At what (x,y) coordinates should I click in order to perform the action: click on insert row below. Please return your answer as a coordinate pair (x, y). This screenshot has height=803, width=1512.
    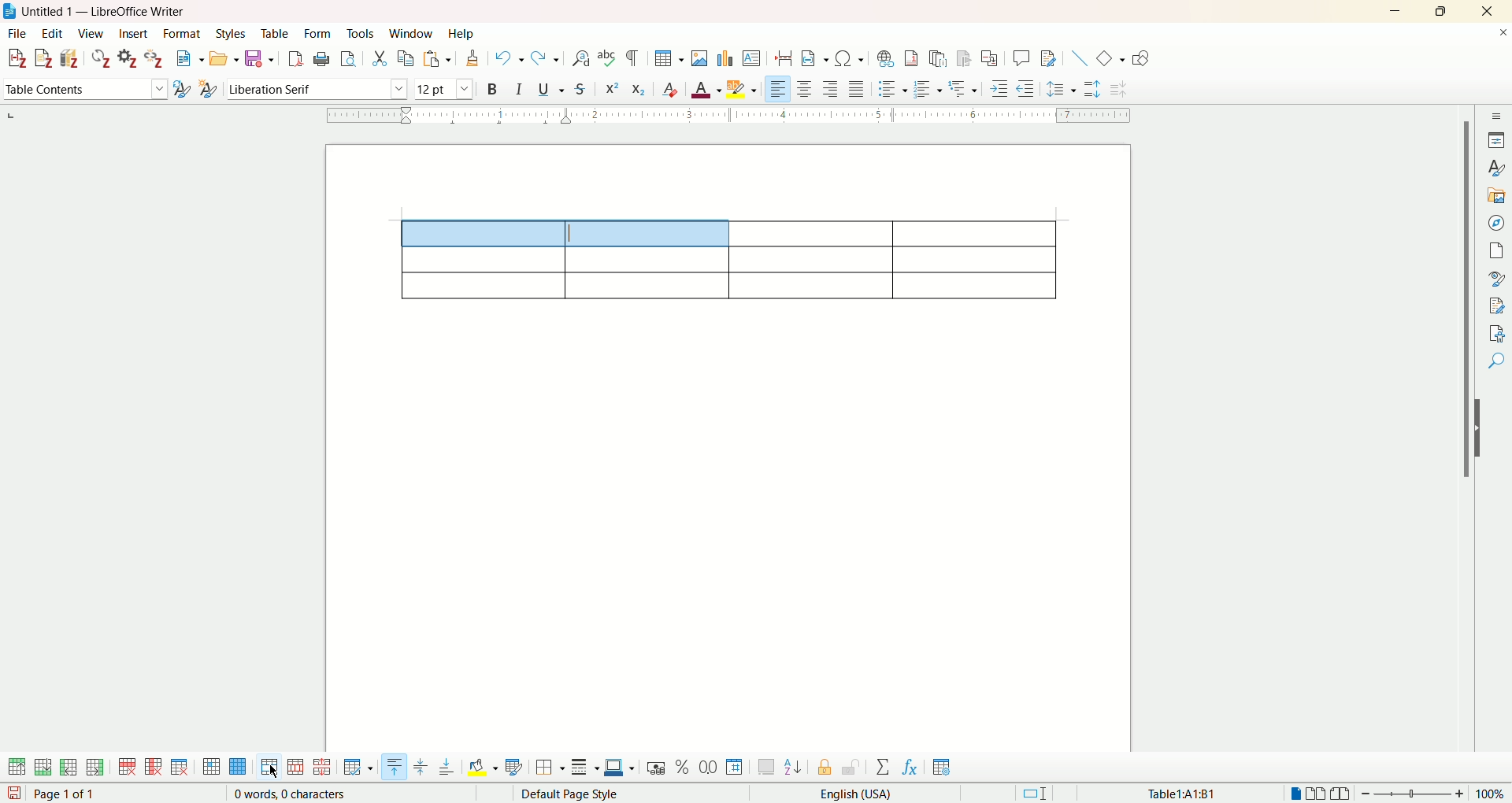
    Looking at the image, I should click on (44, 768).